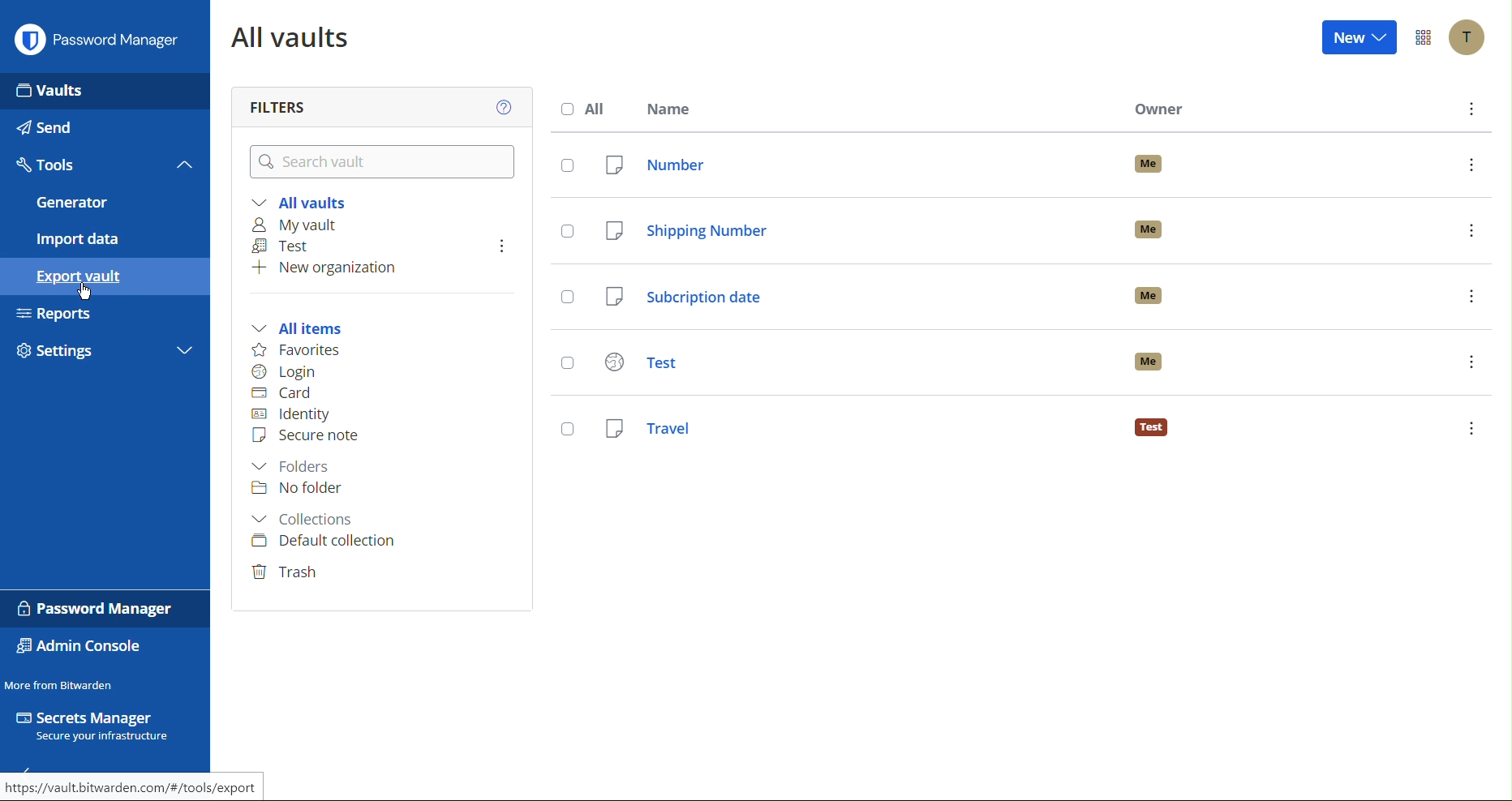 The height and width of the screenshot is (801, 1512). Describe the element at coordinates (293, 465) in the screenshot. I see `Folders` at that location.